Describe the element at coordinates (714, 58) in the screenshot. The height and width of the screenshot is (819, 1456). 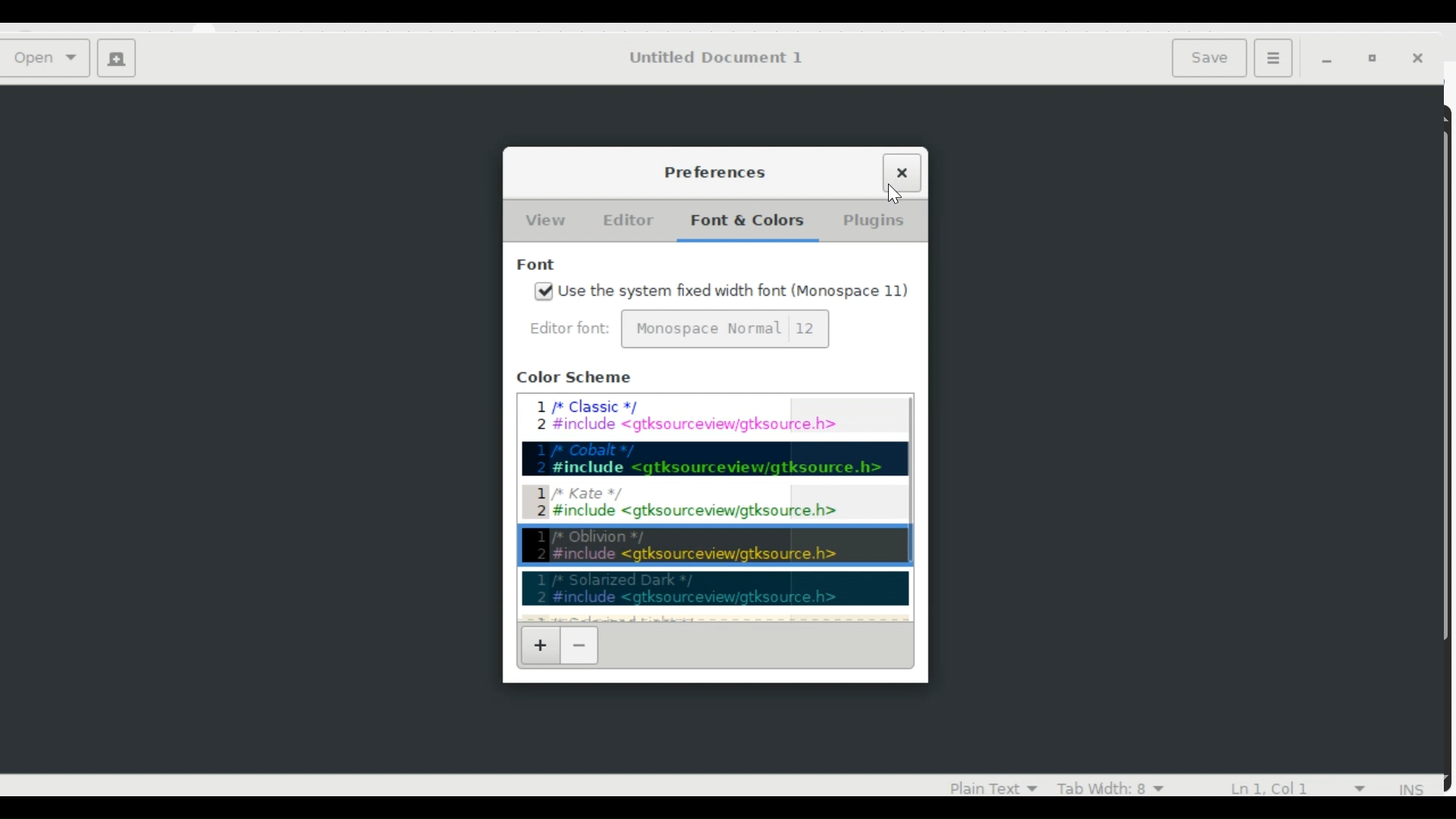
I see `Untitled Document 1` at that location.